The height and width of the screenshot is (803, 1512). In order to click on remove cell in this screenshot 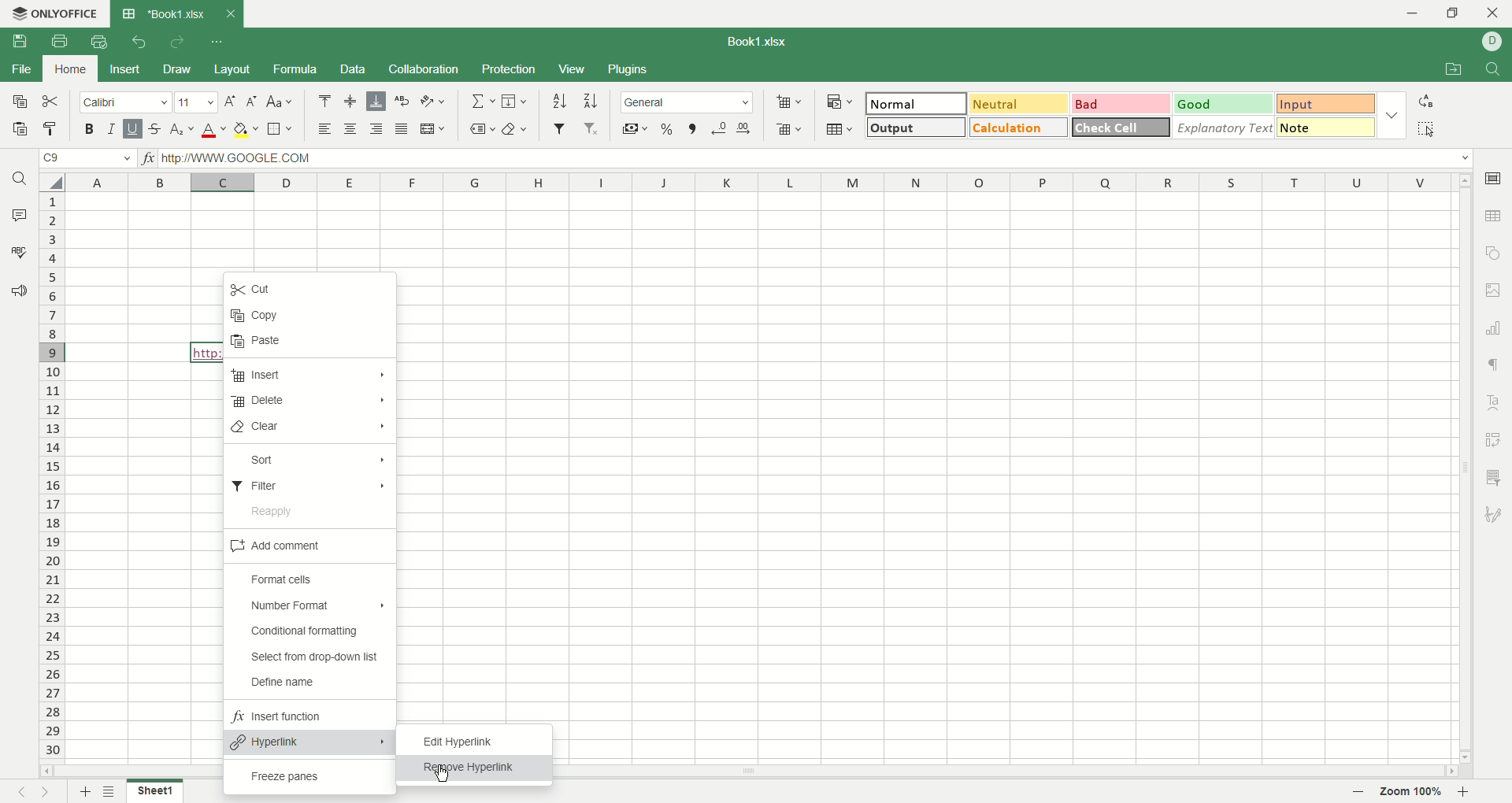, I will do `click(787, 128)`.